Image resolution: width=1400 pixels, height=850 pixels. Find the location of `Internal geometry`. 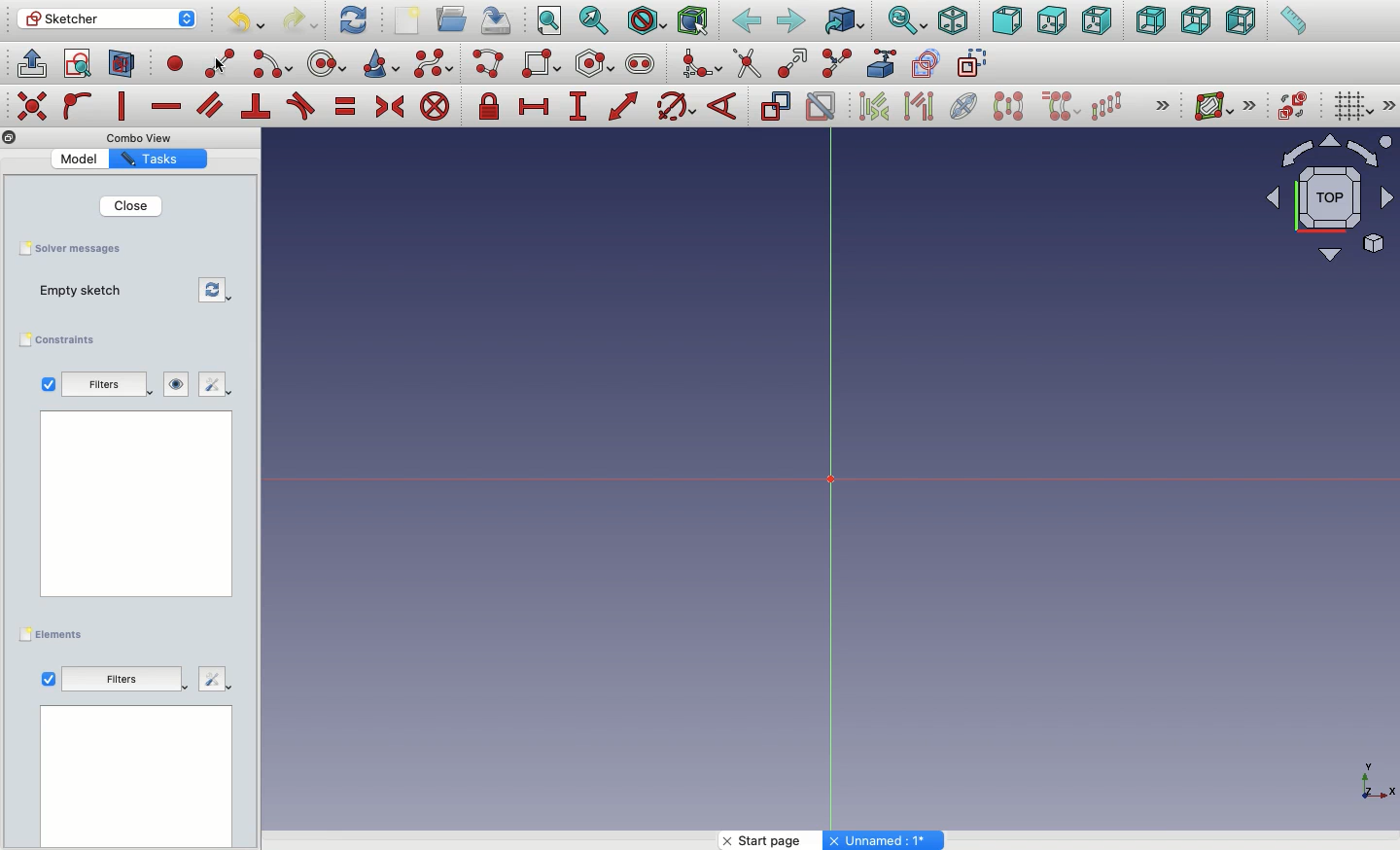

Internal geometry is located at coordinates (965, 105).